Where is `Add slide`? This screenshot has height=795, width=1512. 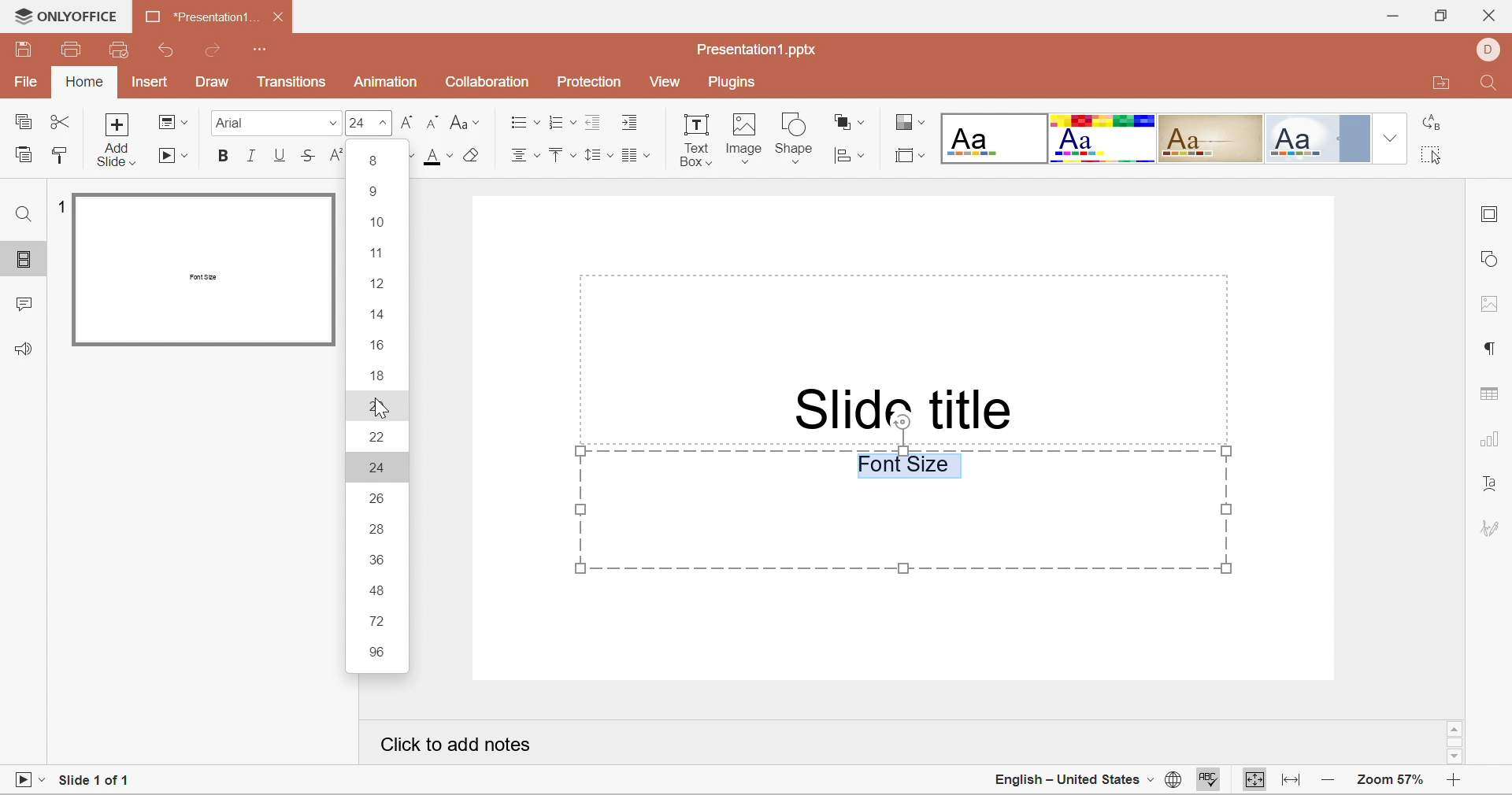 Add slide is located at coordinates (119, 142).